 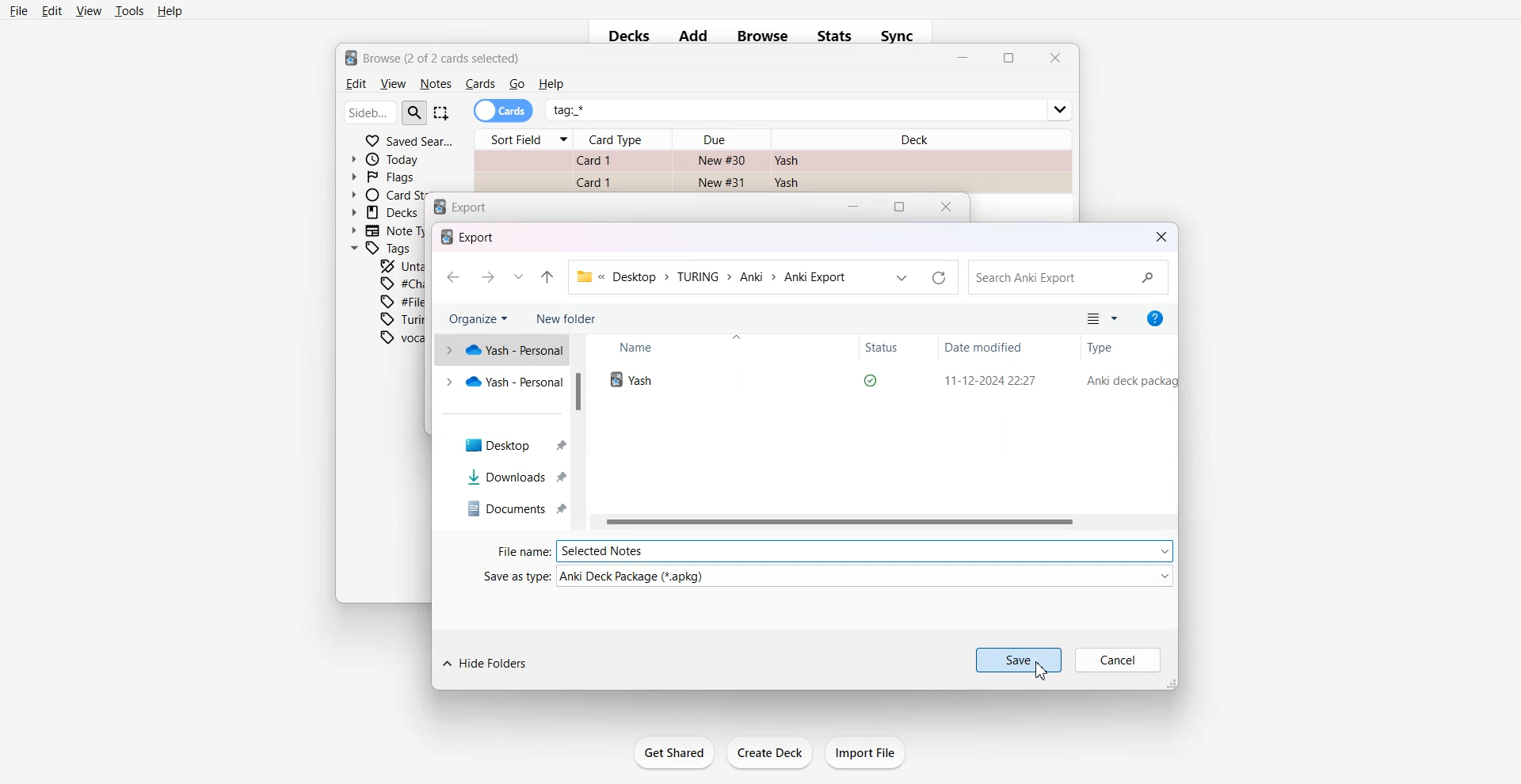 What do you see at coordinates (88, 10) in the screenshot?
I see `View` at bounding box center [88, 10].